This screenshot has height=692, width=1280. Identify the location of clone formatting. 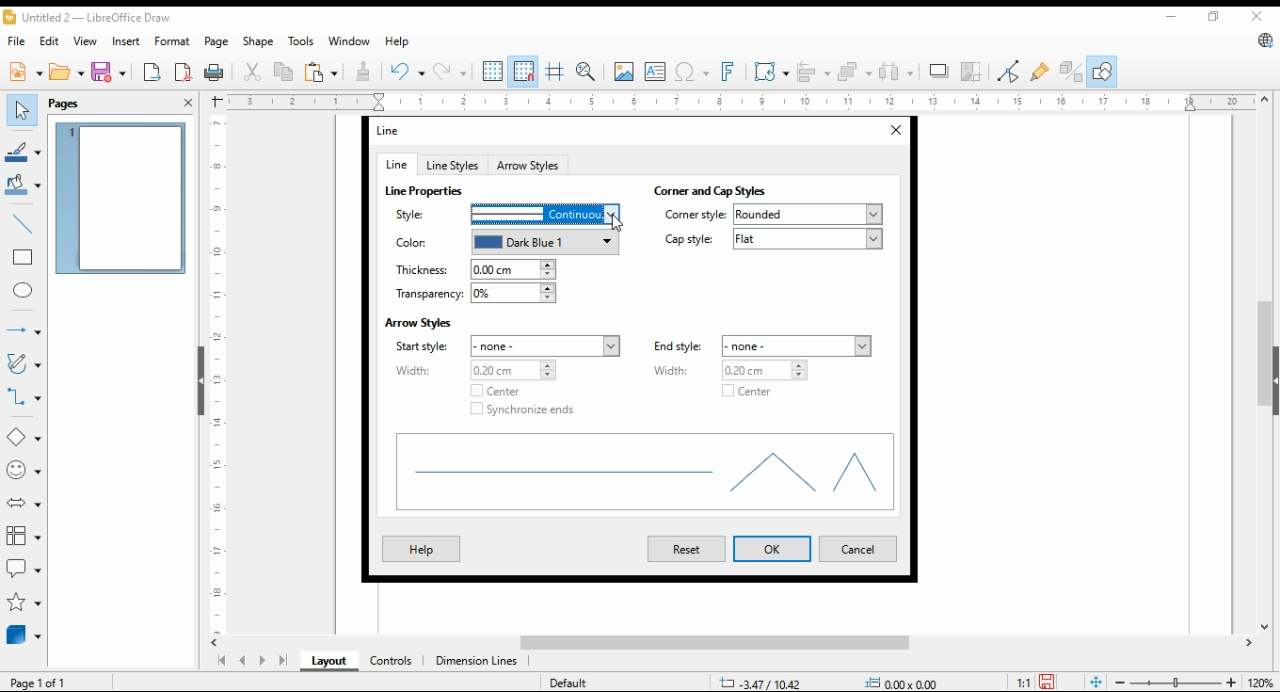
(367, 72).